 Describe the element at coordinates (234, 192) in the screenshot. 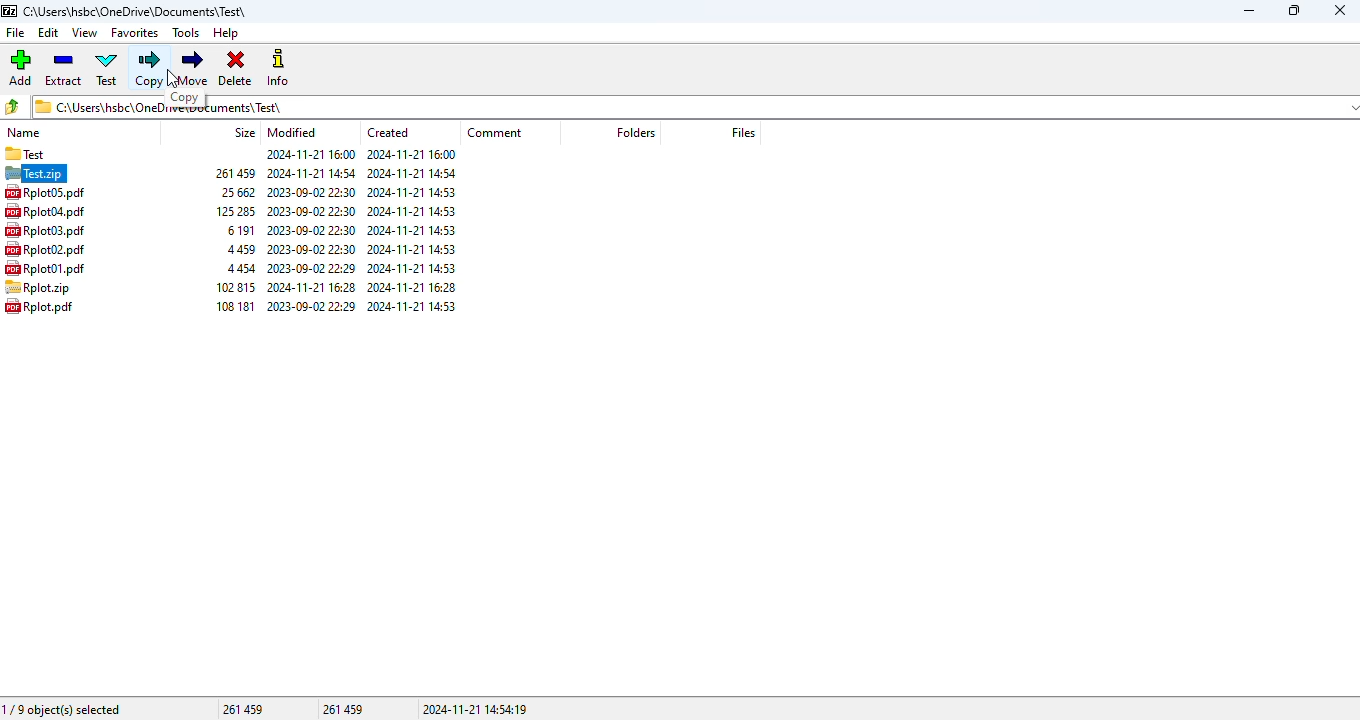

I see `size` at that location.